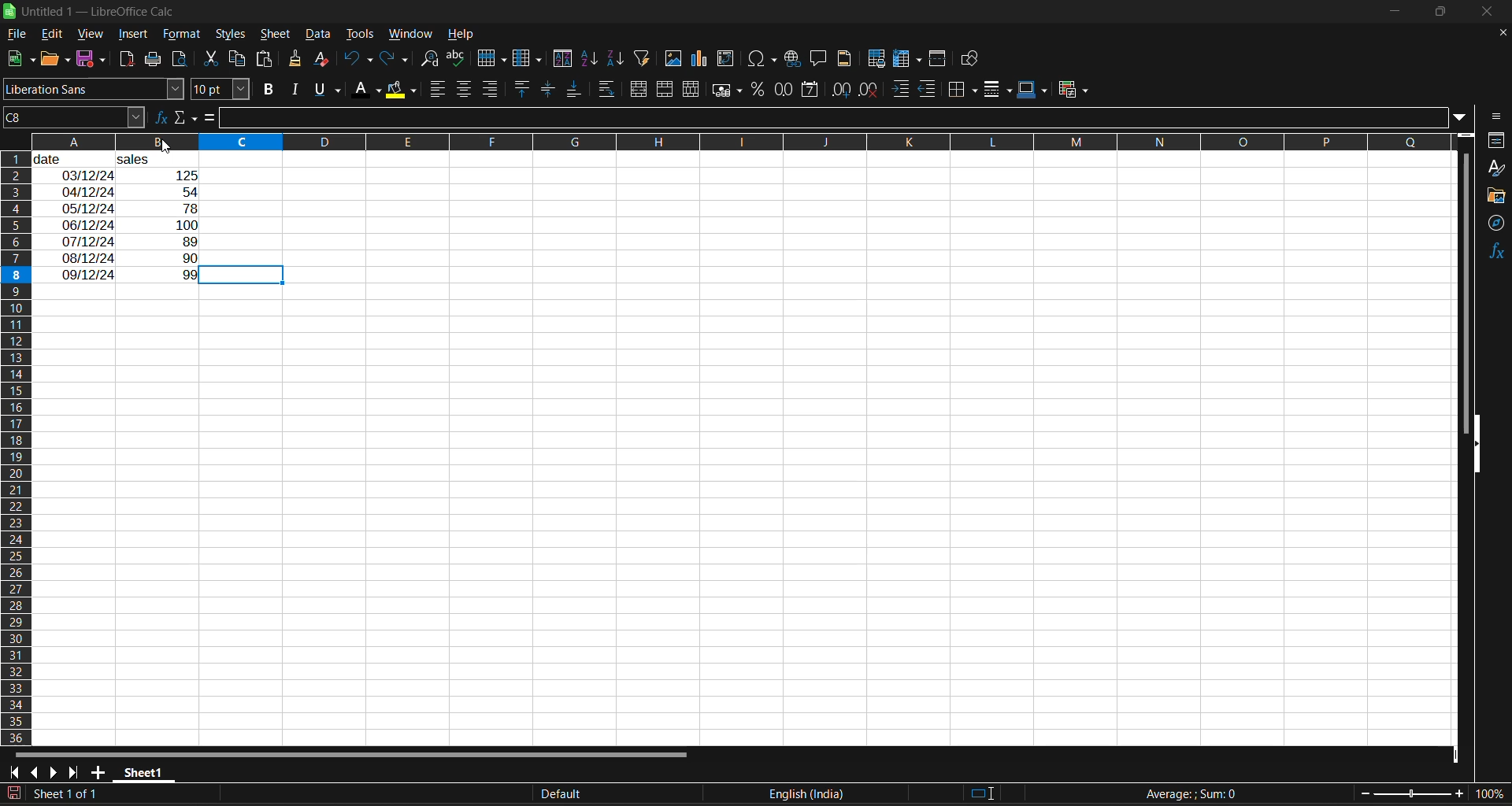 Image resolution: width=1512 pixels, height=806 pixels. Describe the element at coordinates (759, 90) in the screenshot. I see `format as percent` at that location.